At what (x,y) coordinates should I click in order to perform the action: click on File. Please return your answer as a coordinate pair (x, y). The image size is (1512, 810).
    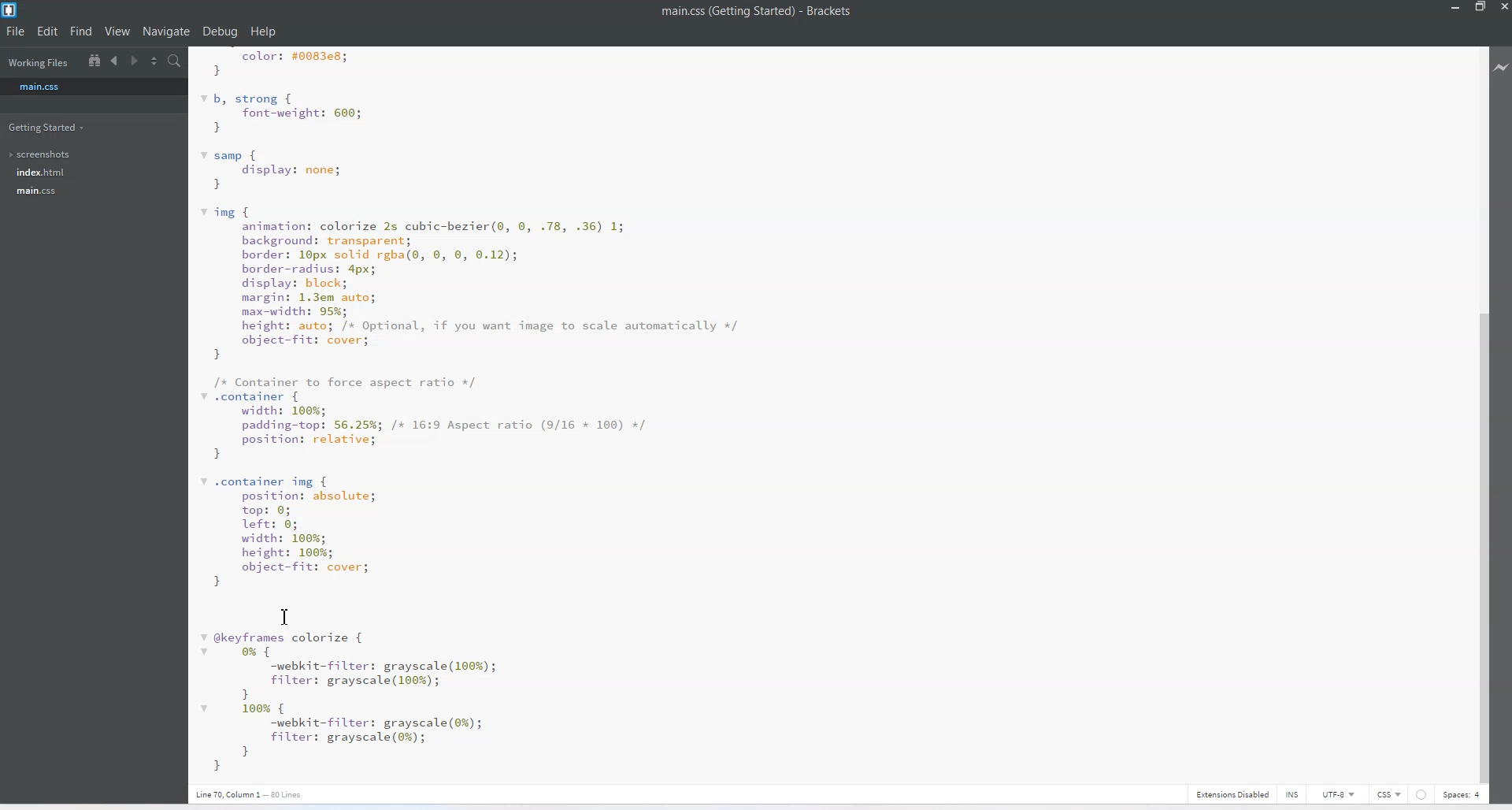
    Looking at the image, I should click on (17, 32).